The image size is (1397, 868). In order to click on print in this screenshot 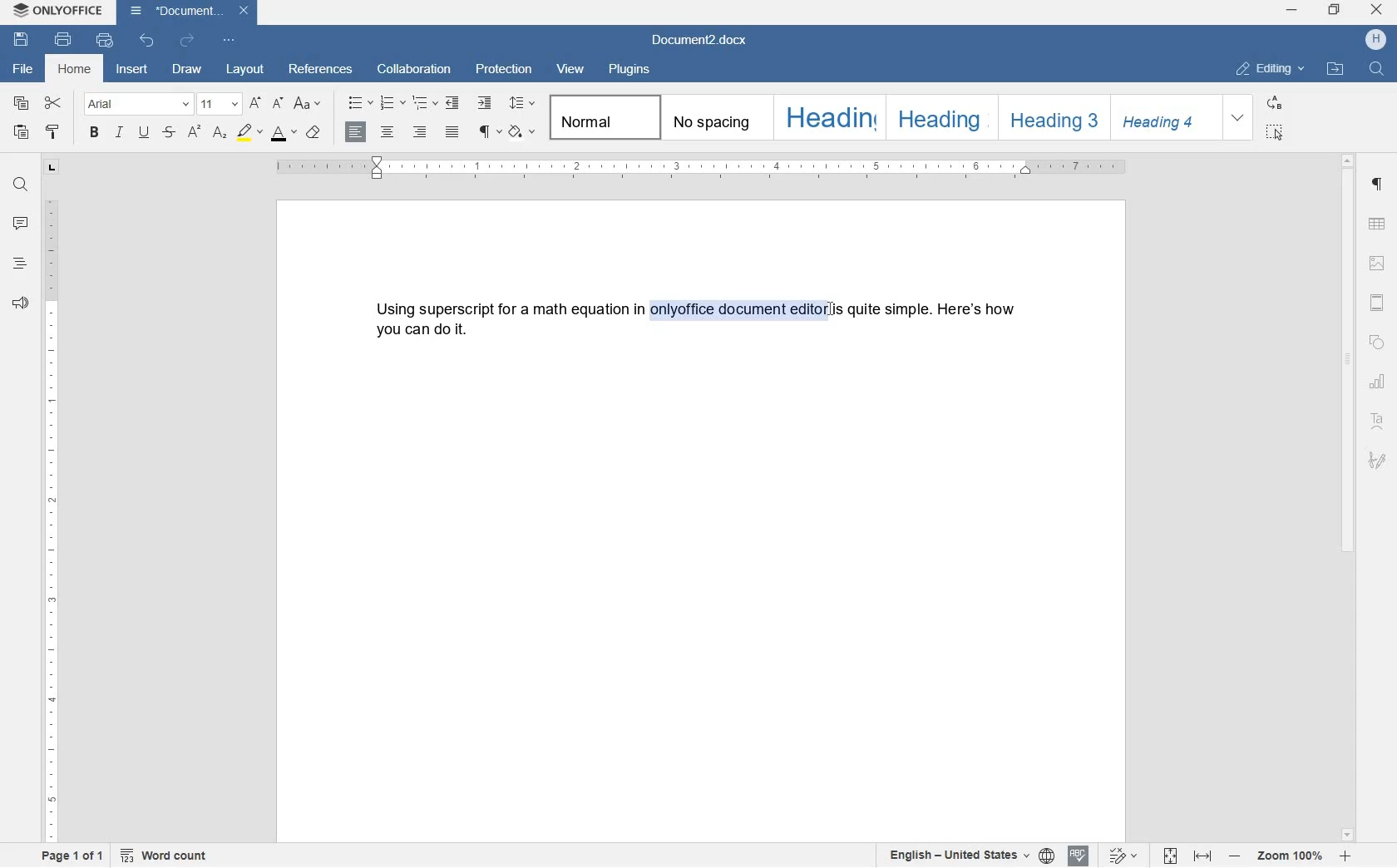, I will do `click(63, 40)`.